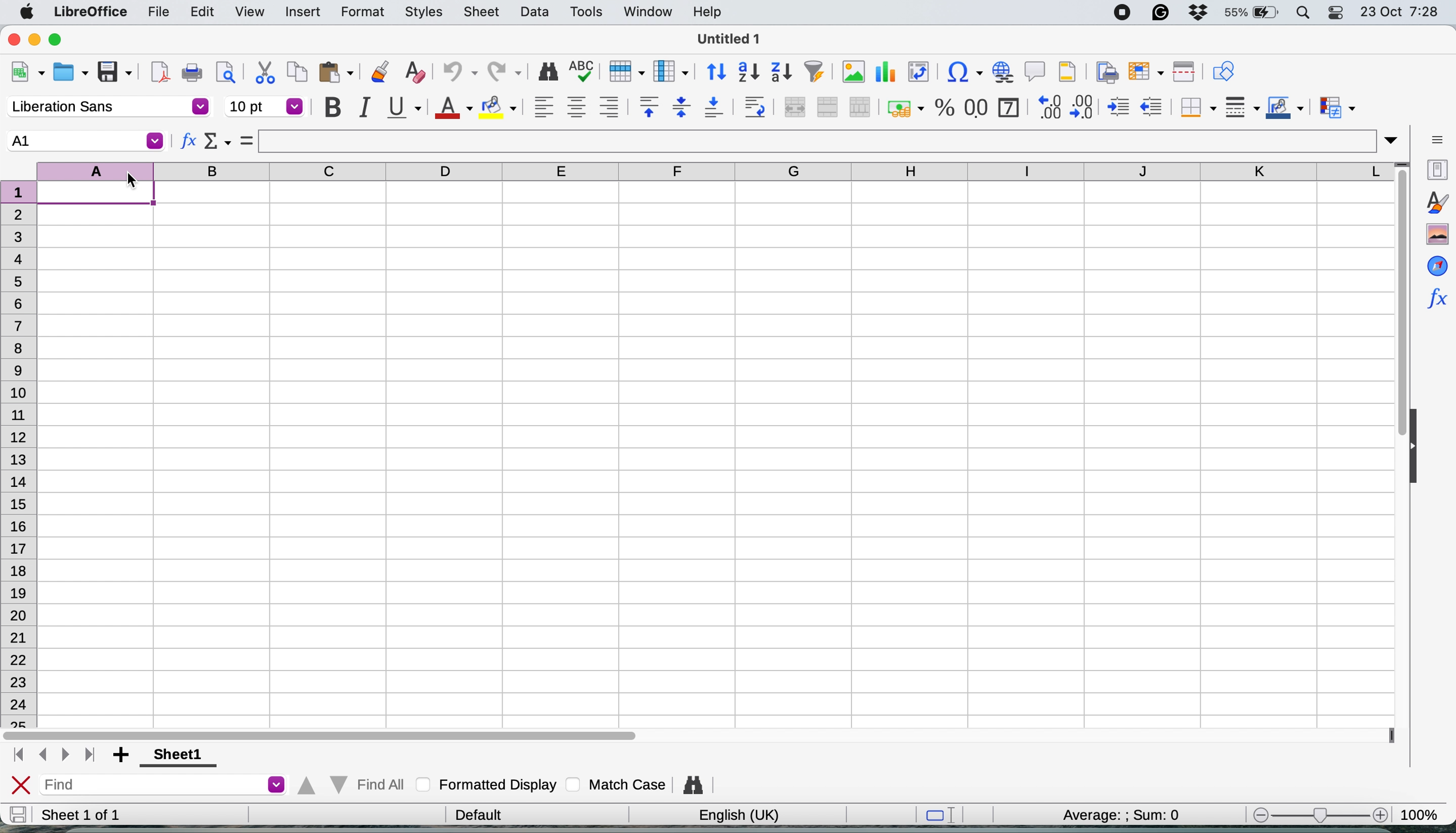  What do you see at coordinates (681, 108) in the screenshot?
I see `center vertically` at bounding box center [681, 108].